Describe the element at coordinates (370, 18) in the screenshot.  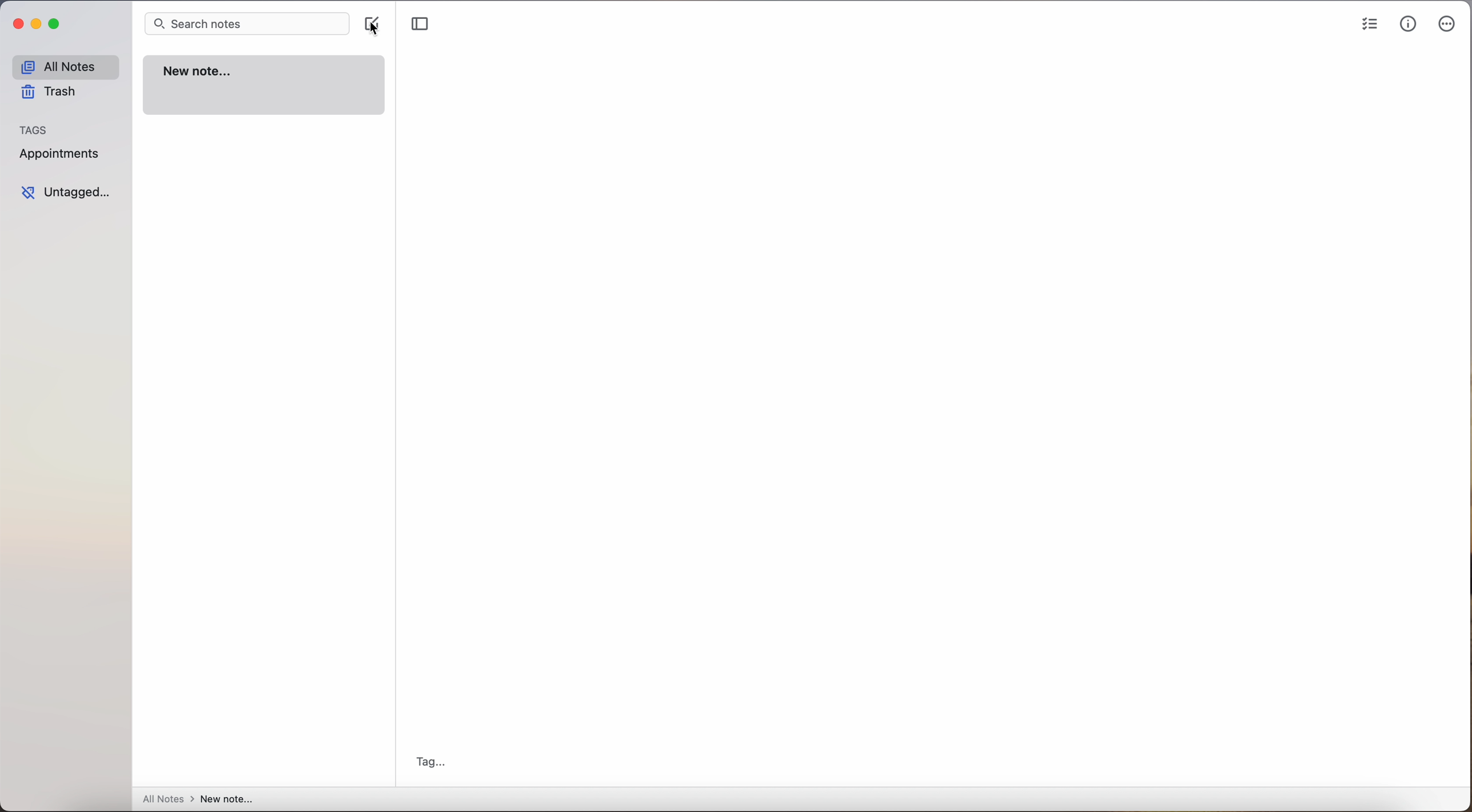
I see `create note` at that location.